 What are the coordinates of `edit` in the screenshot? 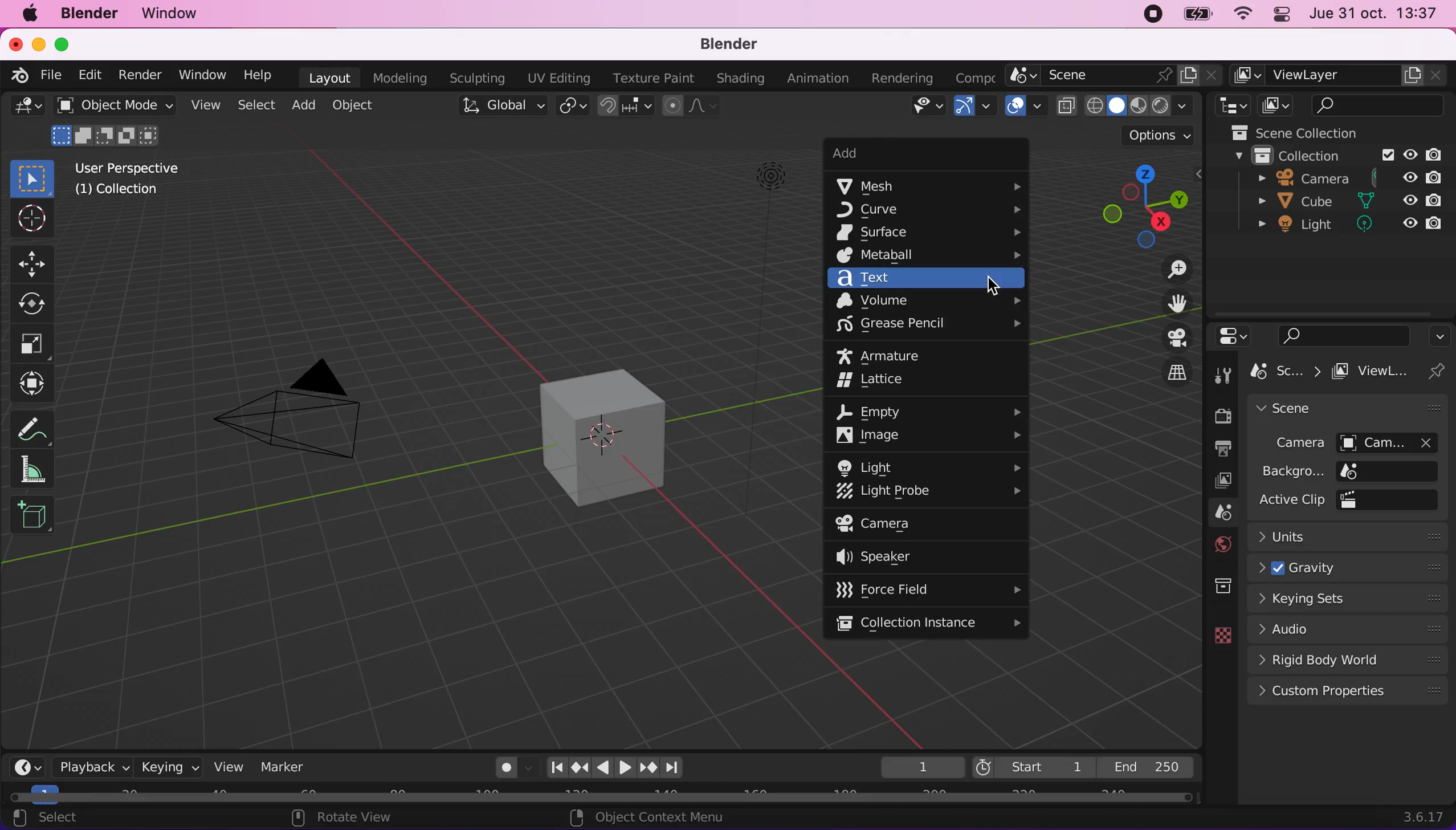 It's located at (91, 74).